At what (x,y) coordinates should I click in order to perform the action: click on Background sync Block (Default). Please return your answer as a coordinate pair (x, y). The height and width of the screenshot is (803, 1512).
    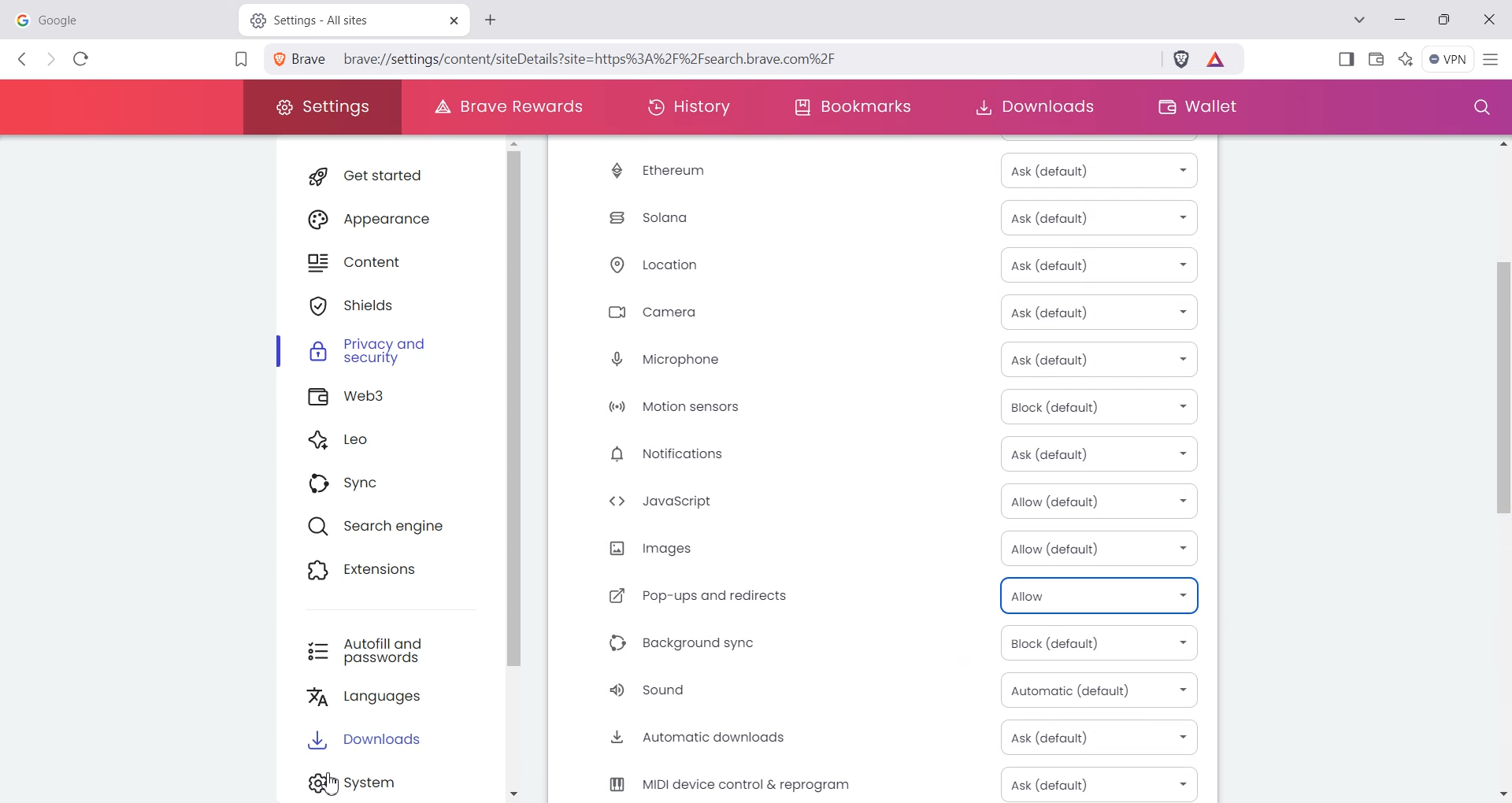
    Looking at the image, I should click on (885, 644).